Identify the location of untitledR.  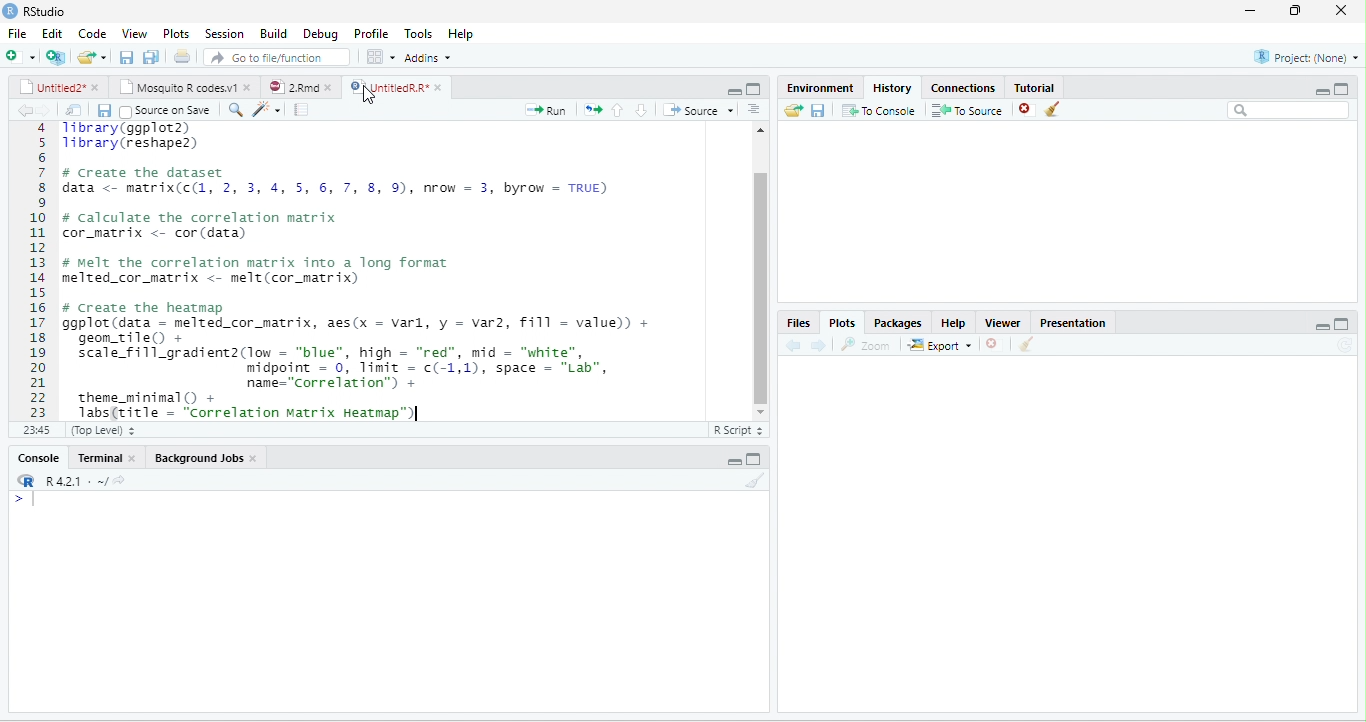
(395, 87).